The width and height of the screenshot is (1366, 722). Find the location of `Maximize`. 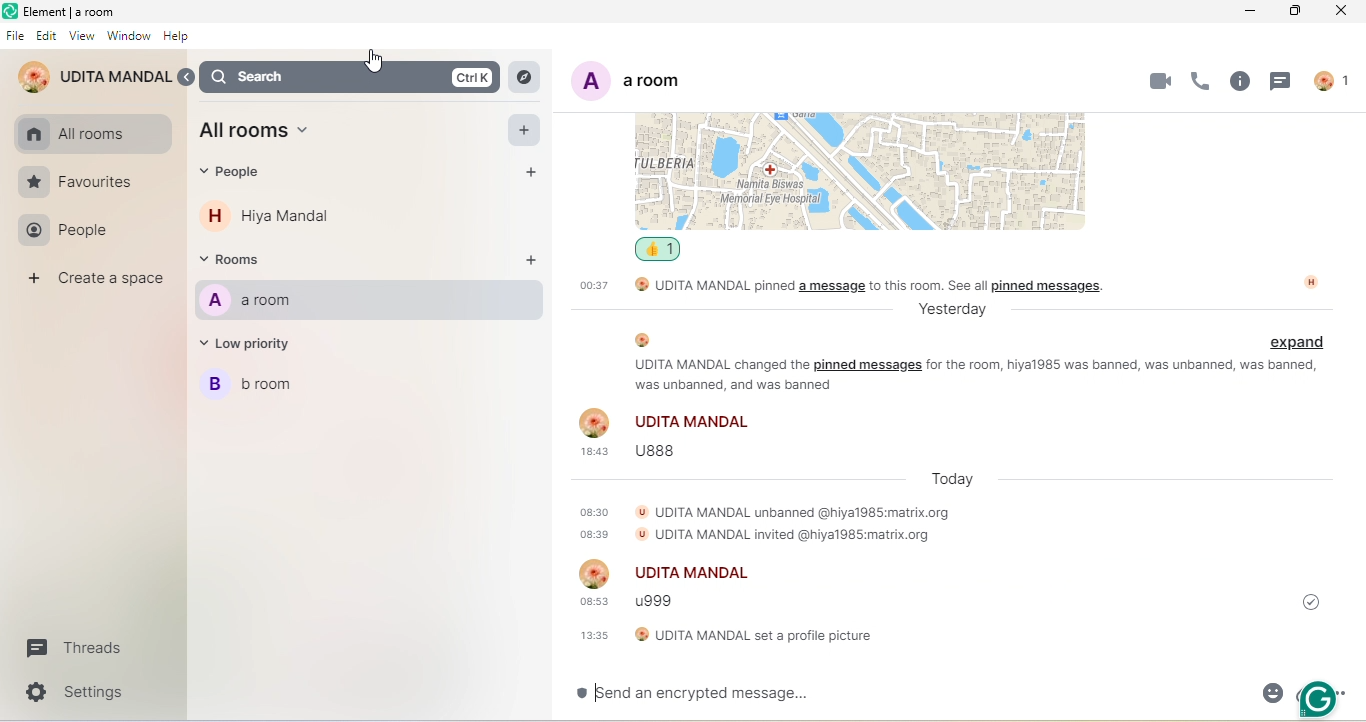

Maximize is located at coordinates (1295, 12).